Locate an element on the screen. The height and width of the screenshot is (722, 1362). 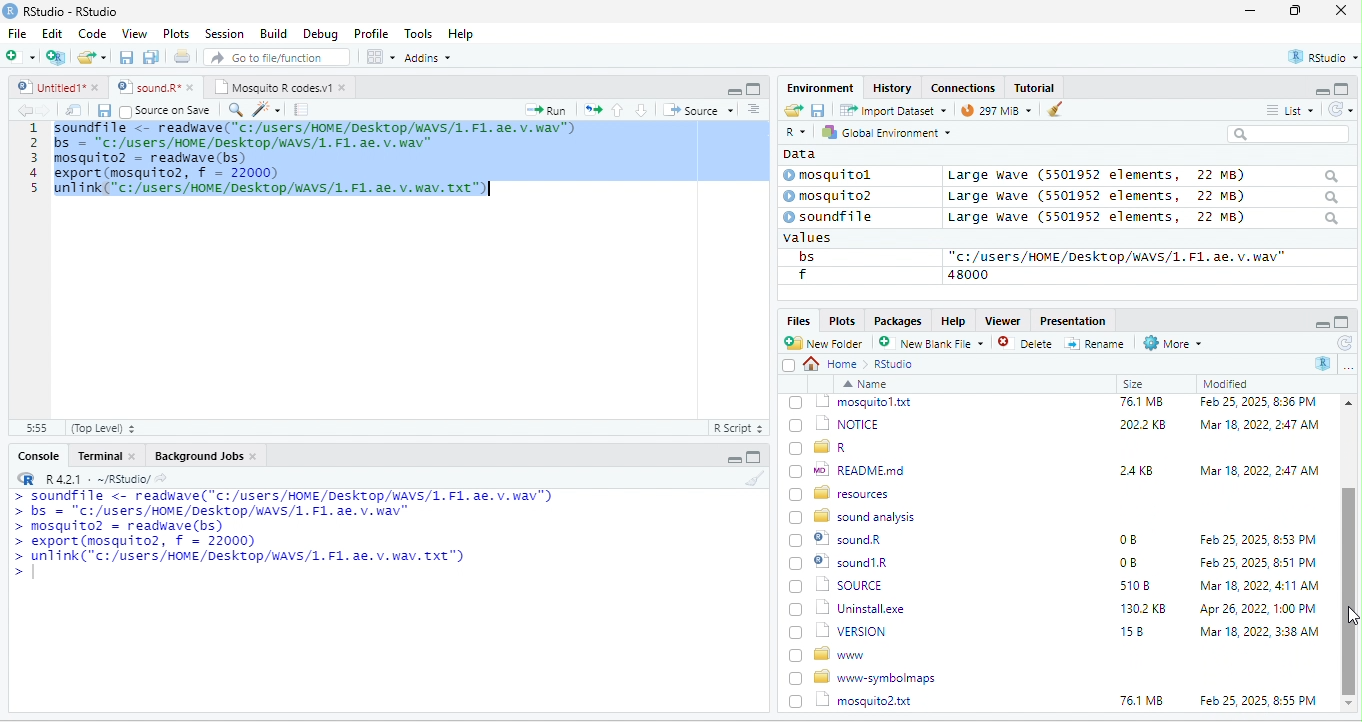
| SOURCE is located at coordinates (848, 681).